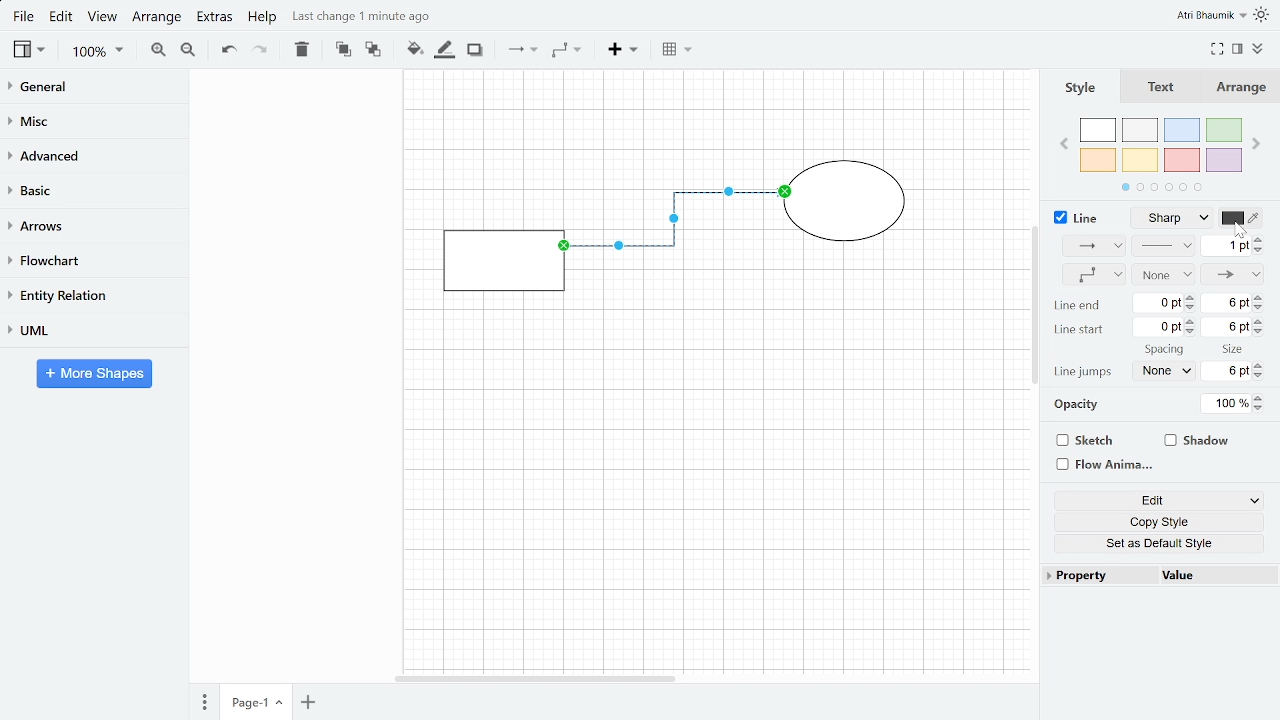  What do you see at coordinates (300, 50) in the screenshot?
I see `Delete` at bounding box center [300, 50].